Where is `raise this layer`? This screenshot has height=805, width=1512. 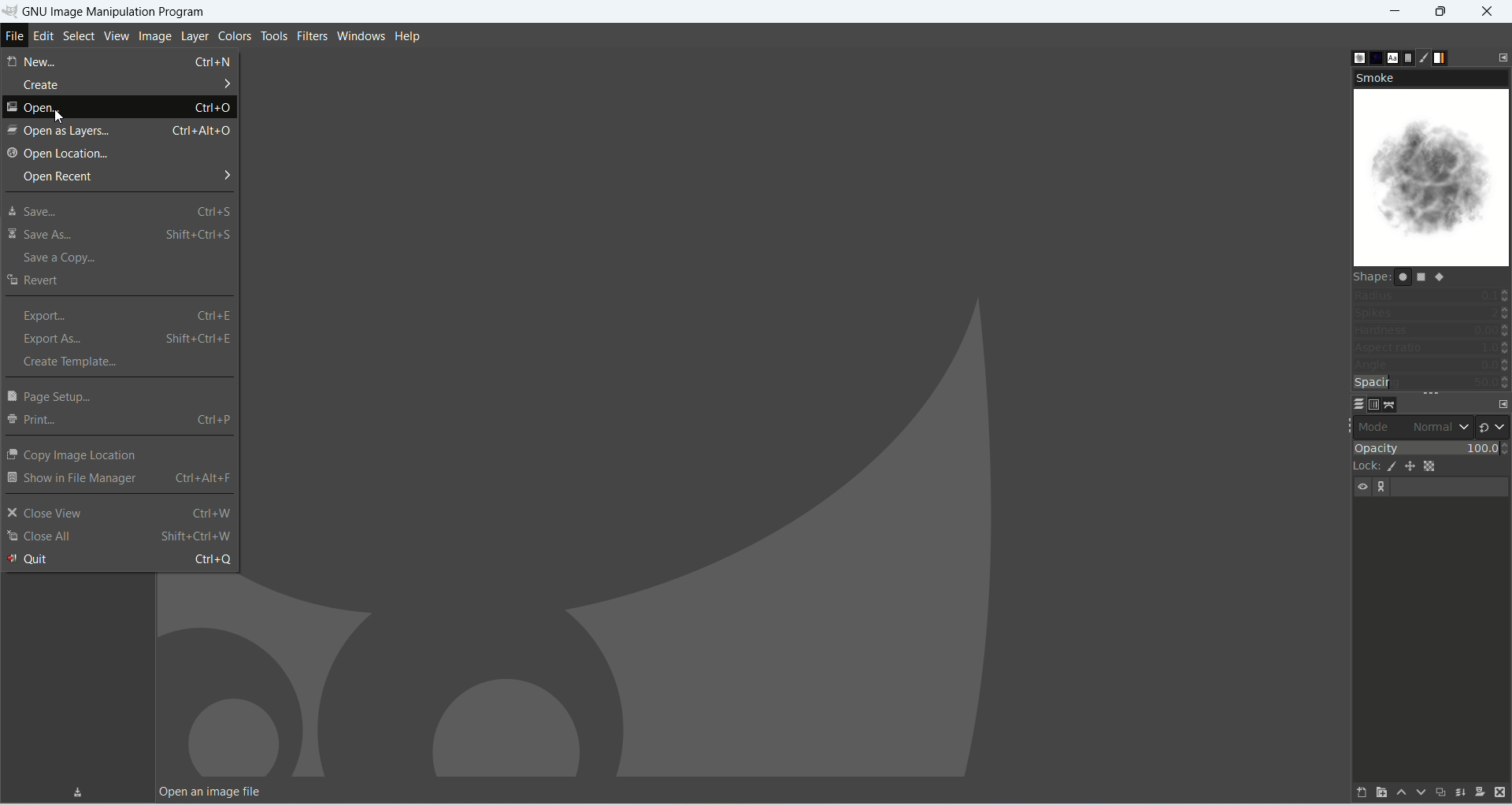
raise this layer is located at coordinates (1400, 792).